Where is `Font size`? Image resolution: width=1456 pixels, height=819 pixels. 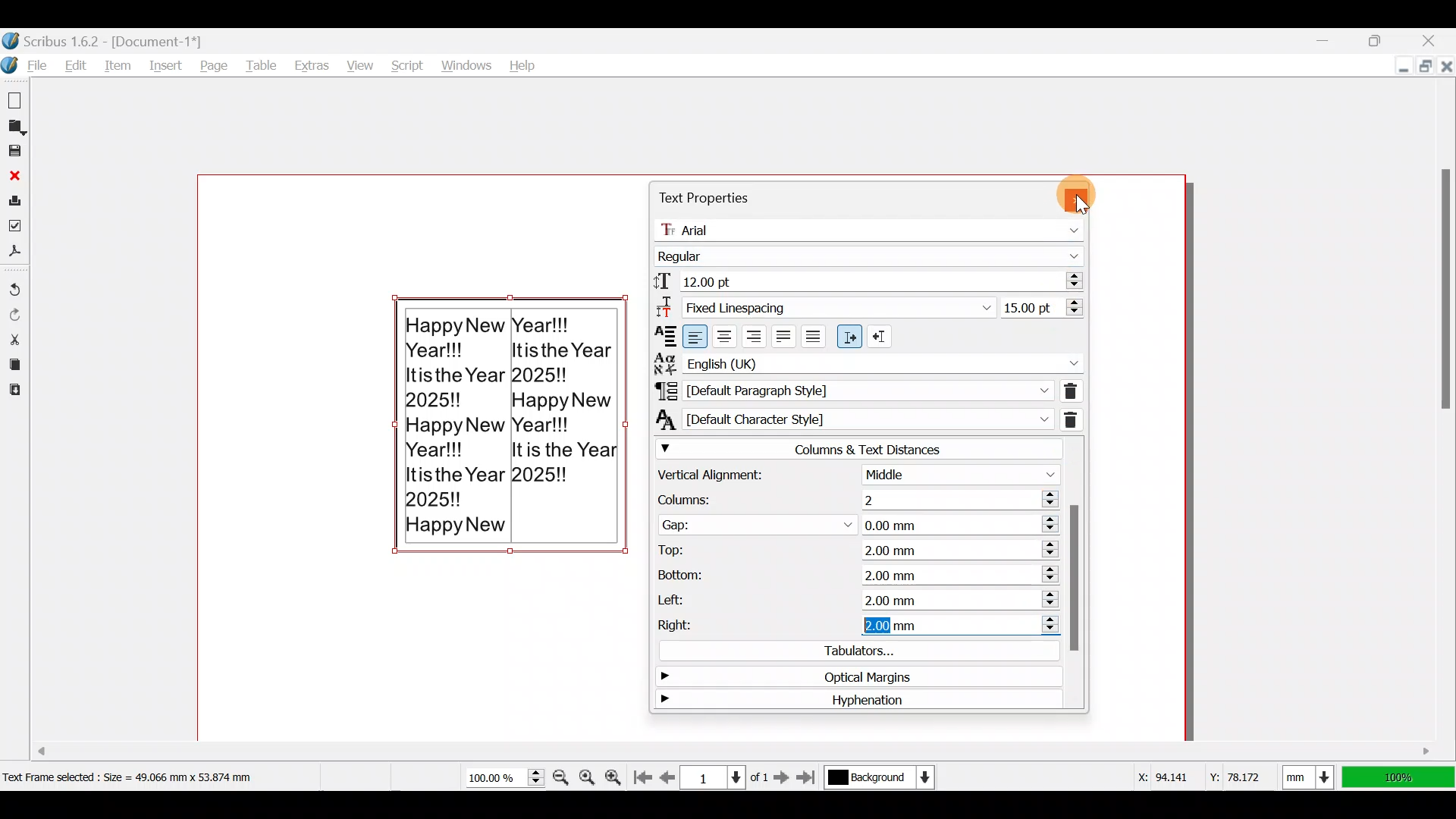 Font size is located at coordinates (866, 280).